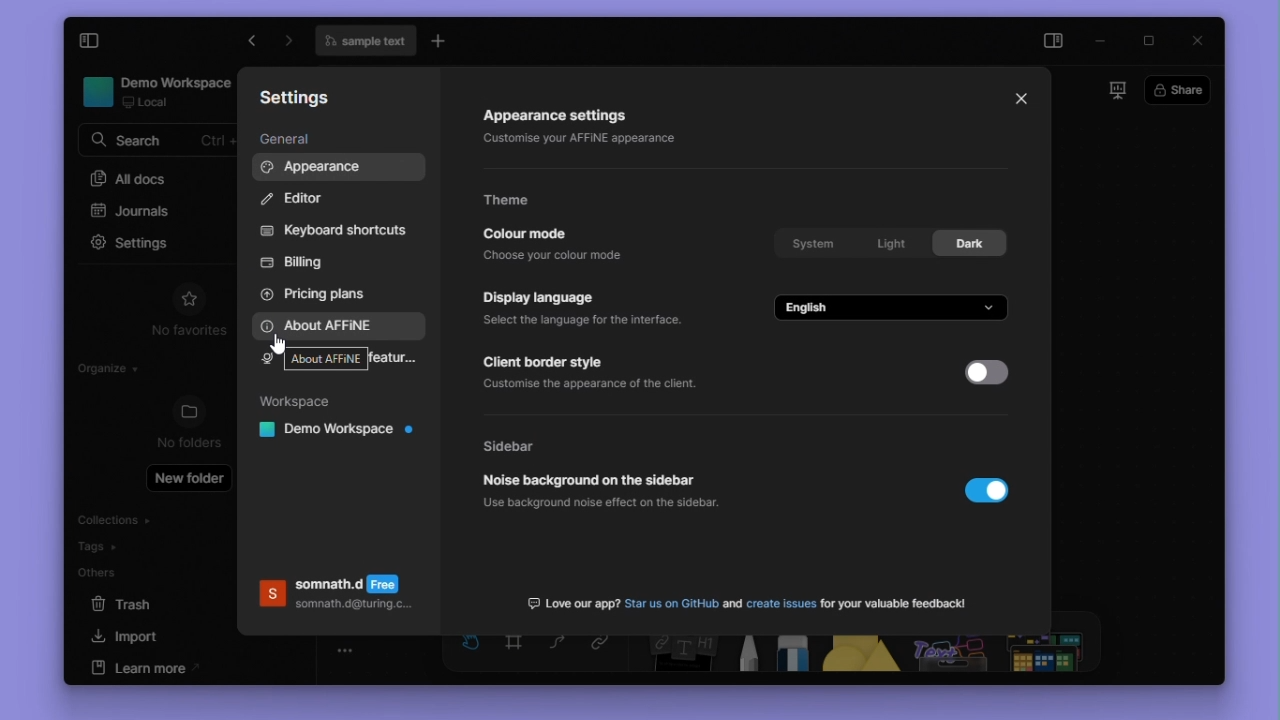  What do you see at coordinates (1150, 40) in the screenshot?
I see `Maximize` at bounding box center [1150, 40].